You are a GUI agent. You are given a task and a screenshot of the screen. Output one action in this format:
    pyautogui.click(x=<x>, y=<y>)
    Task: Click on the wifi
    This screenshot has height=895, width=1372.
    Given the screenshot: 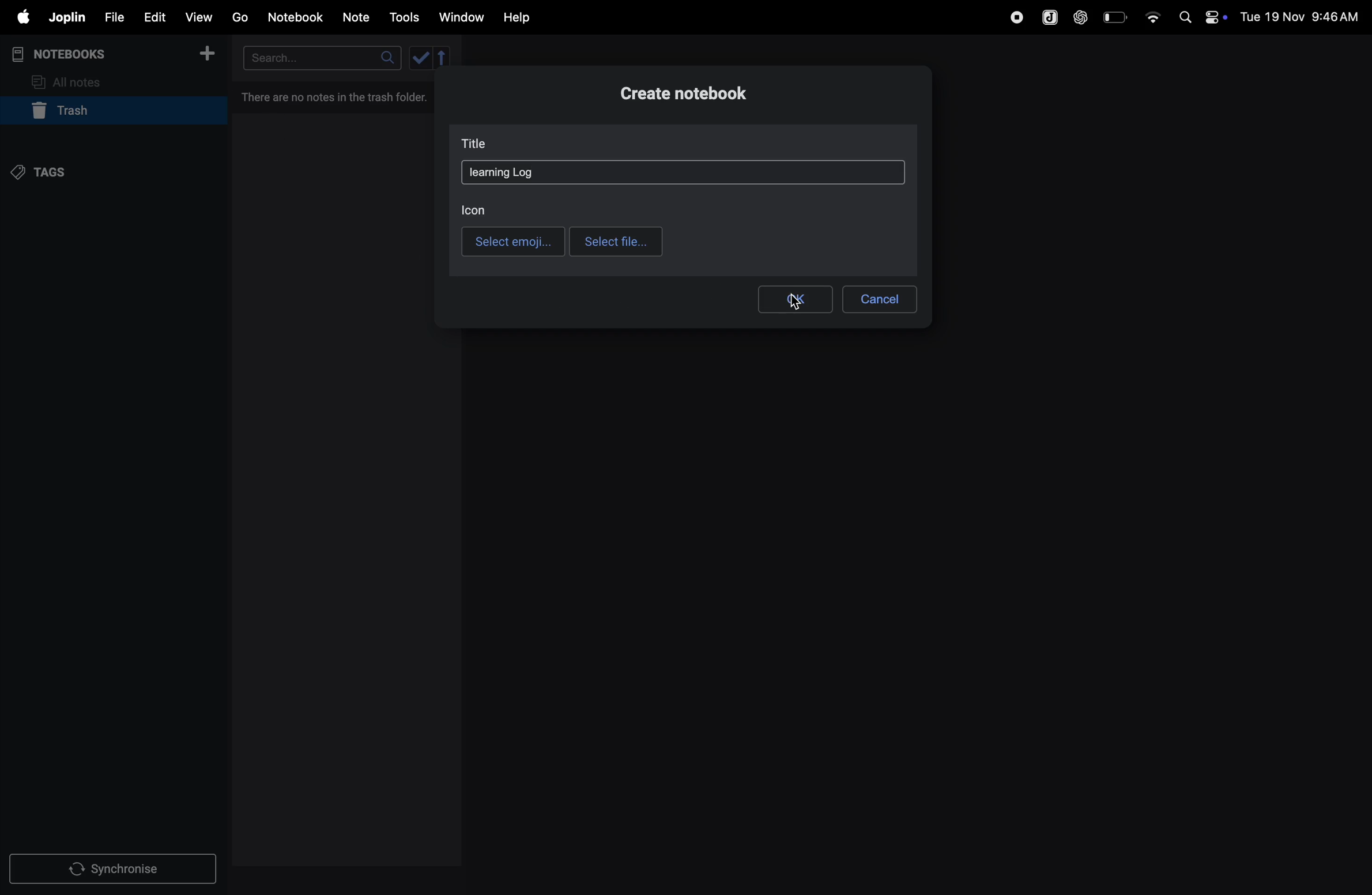 What is the action you would take?
    pyautogui.click(x=1152, y=13)
    